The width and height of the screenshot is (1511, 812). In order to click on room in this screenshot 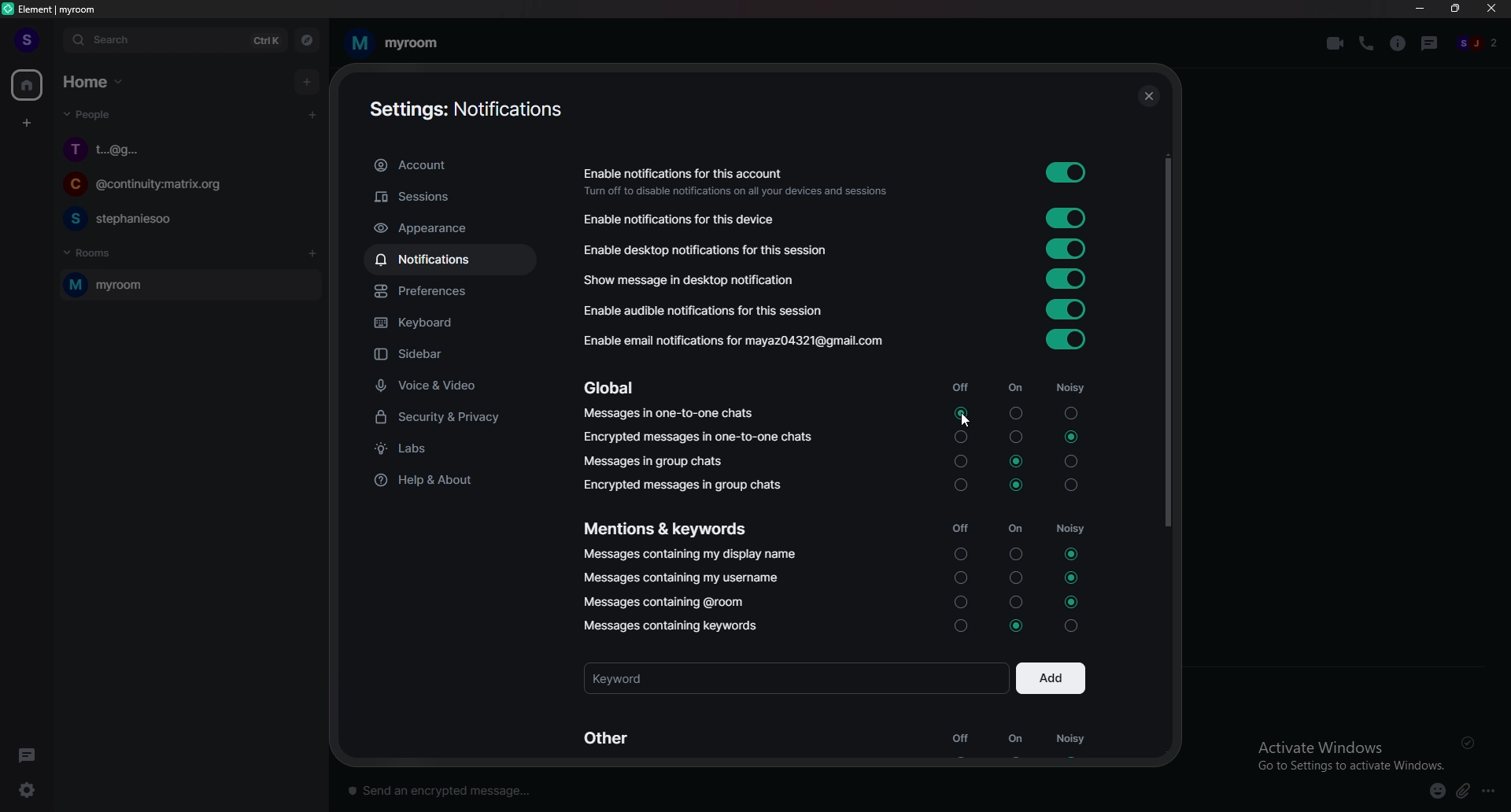, I will do `click(188, 285)`.